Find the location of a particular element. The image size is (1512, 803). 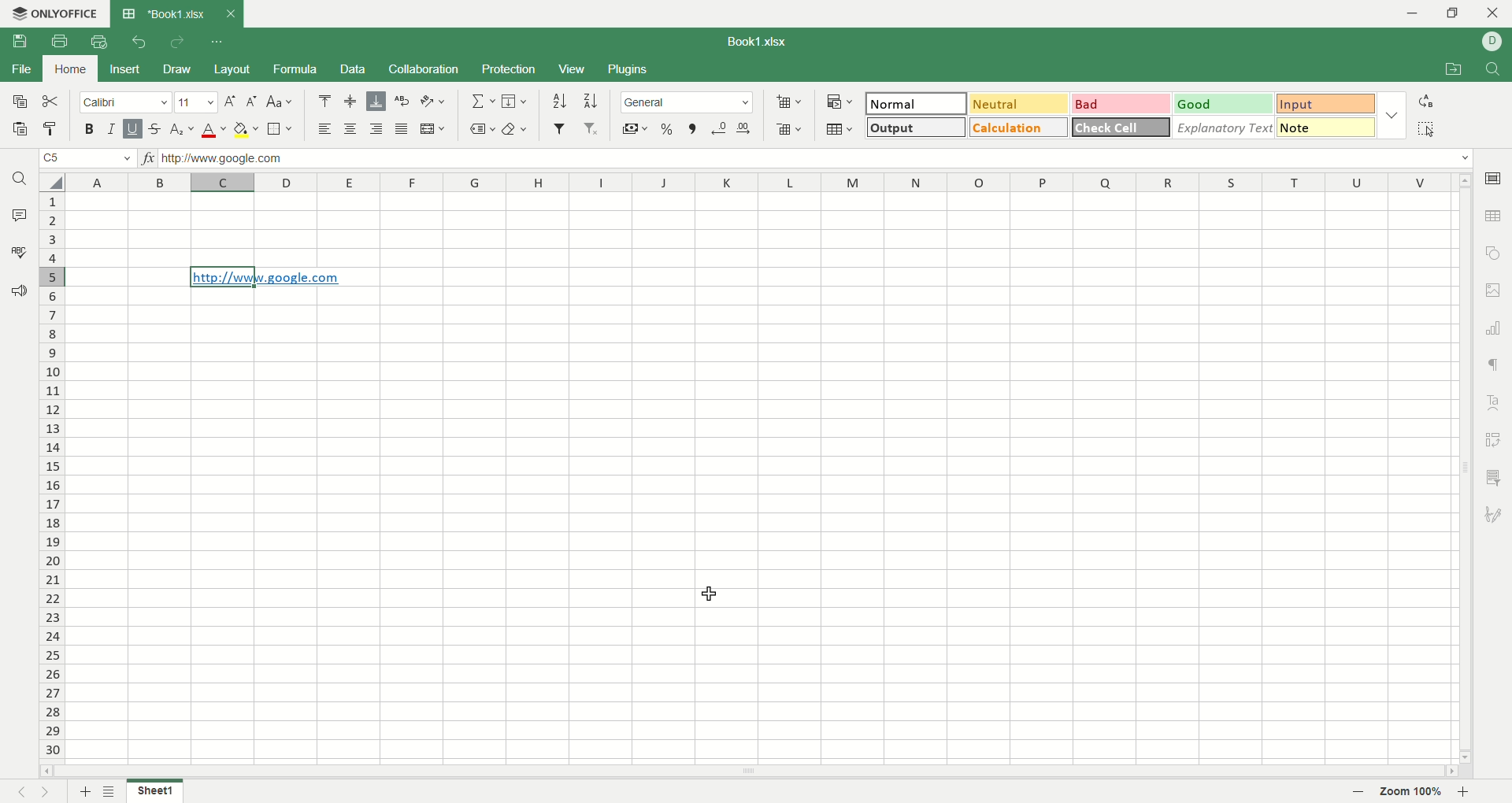

font color is located at coordinates (211, 131).